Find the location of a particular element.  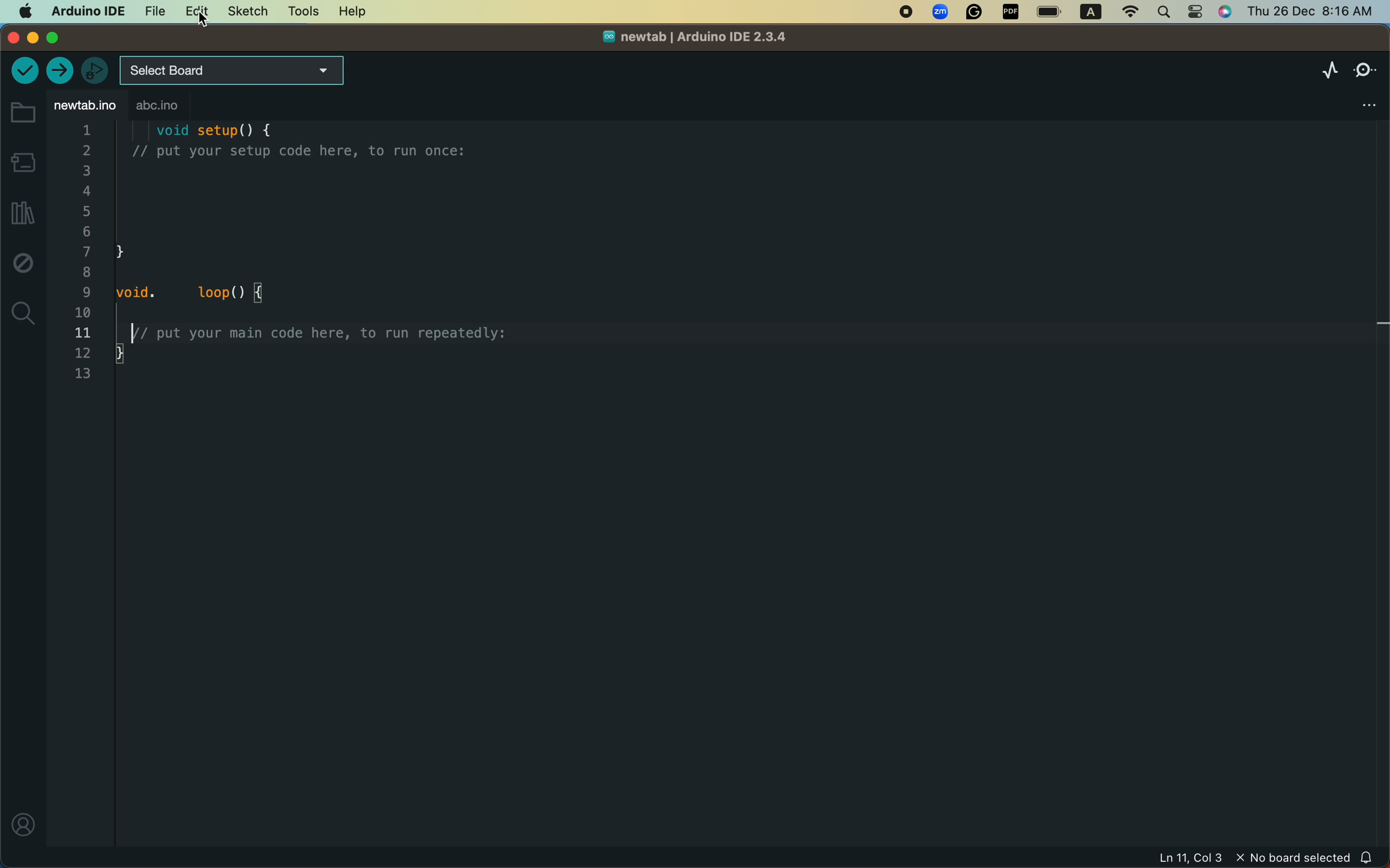

folder is located at coordinates (22, 113).